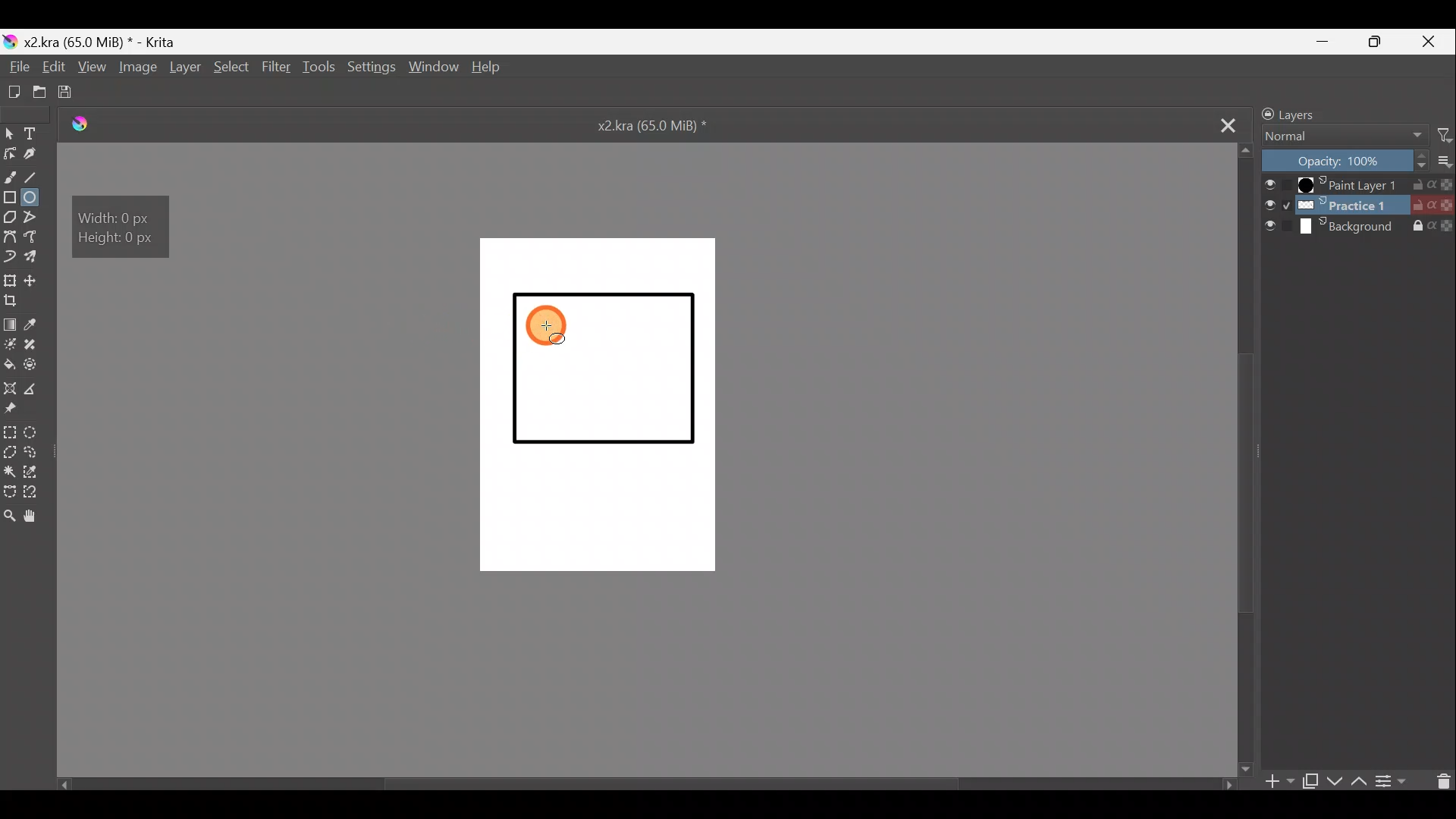 The height and width of the screenshot is (819, 1456). I want to click on Layer, so click(186, 71).